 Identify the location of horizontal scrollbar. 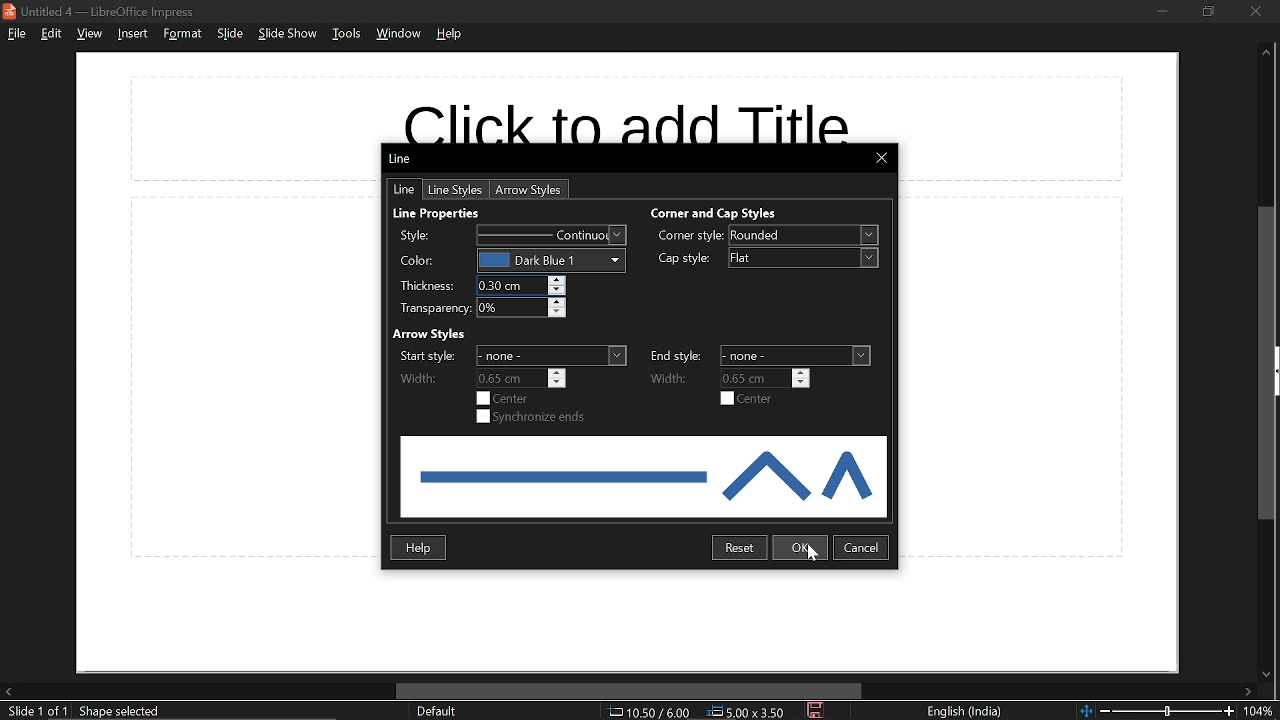
(630, 691).